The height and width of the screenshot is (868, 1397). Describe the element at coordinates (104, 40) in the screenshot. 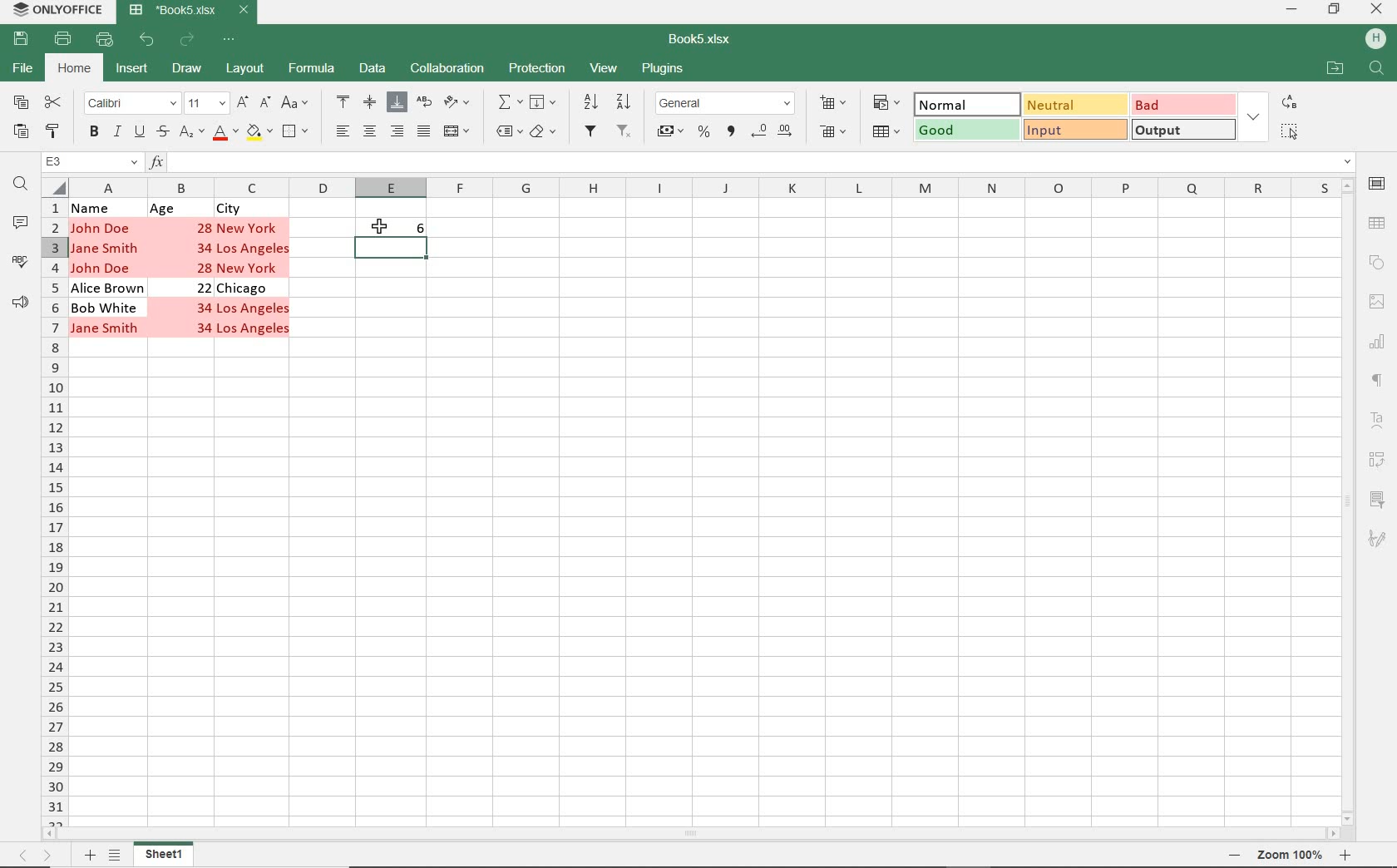

I see `QUICK PRINT` at that location.